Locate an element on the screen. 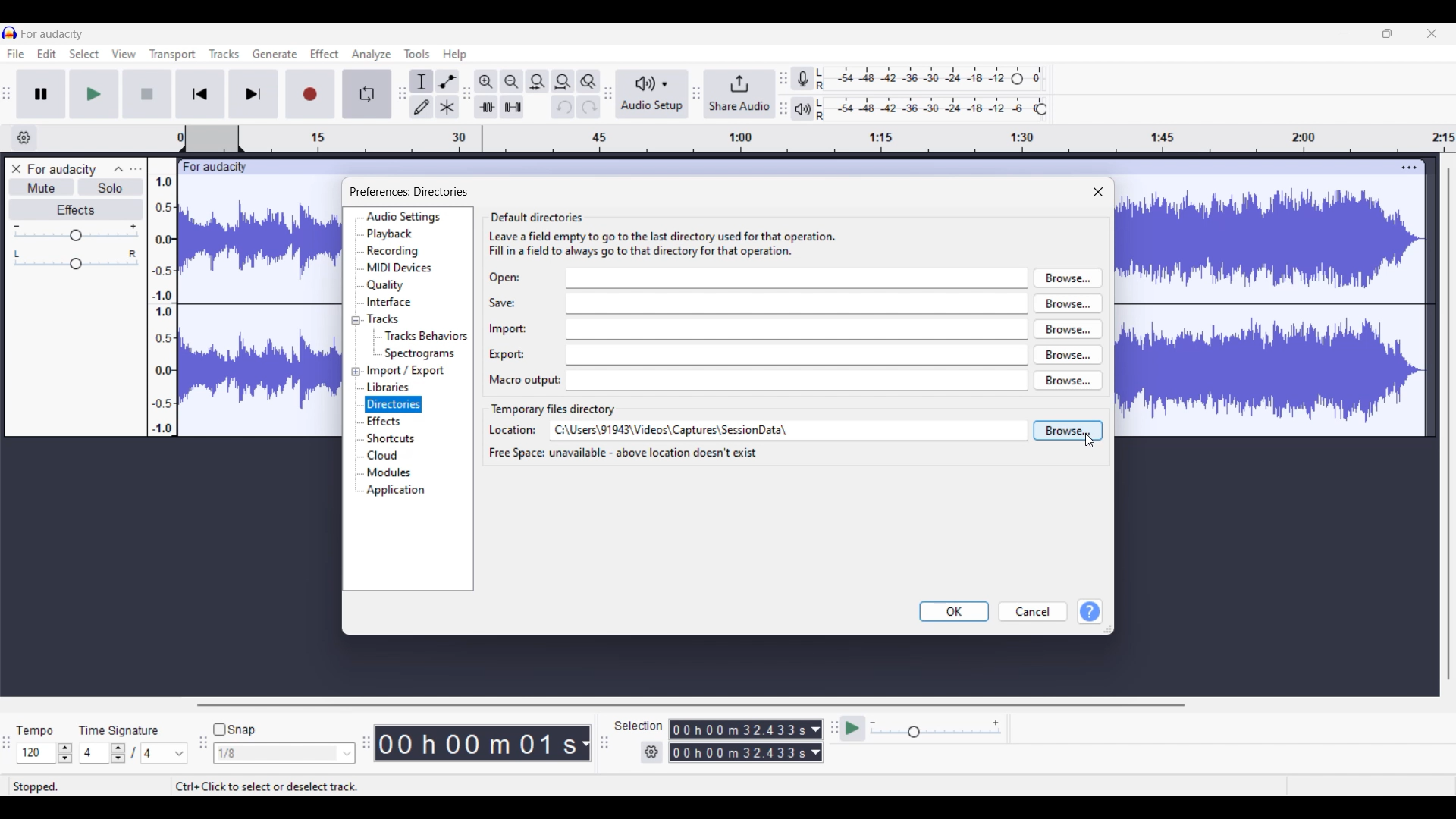 This screenshot has height=819, width=1456. Minimize is located at coordinates (1344, 33).